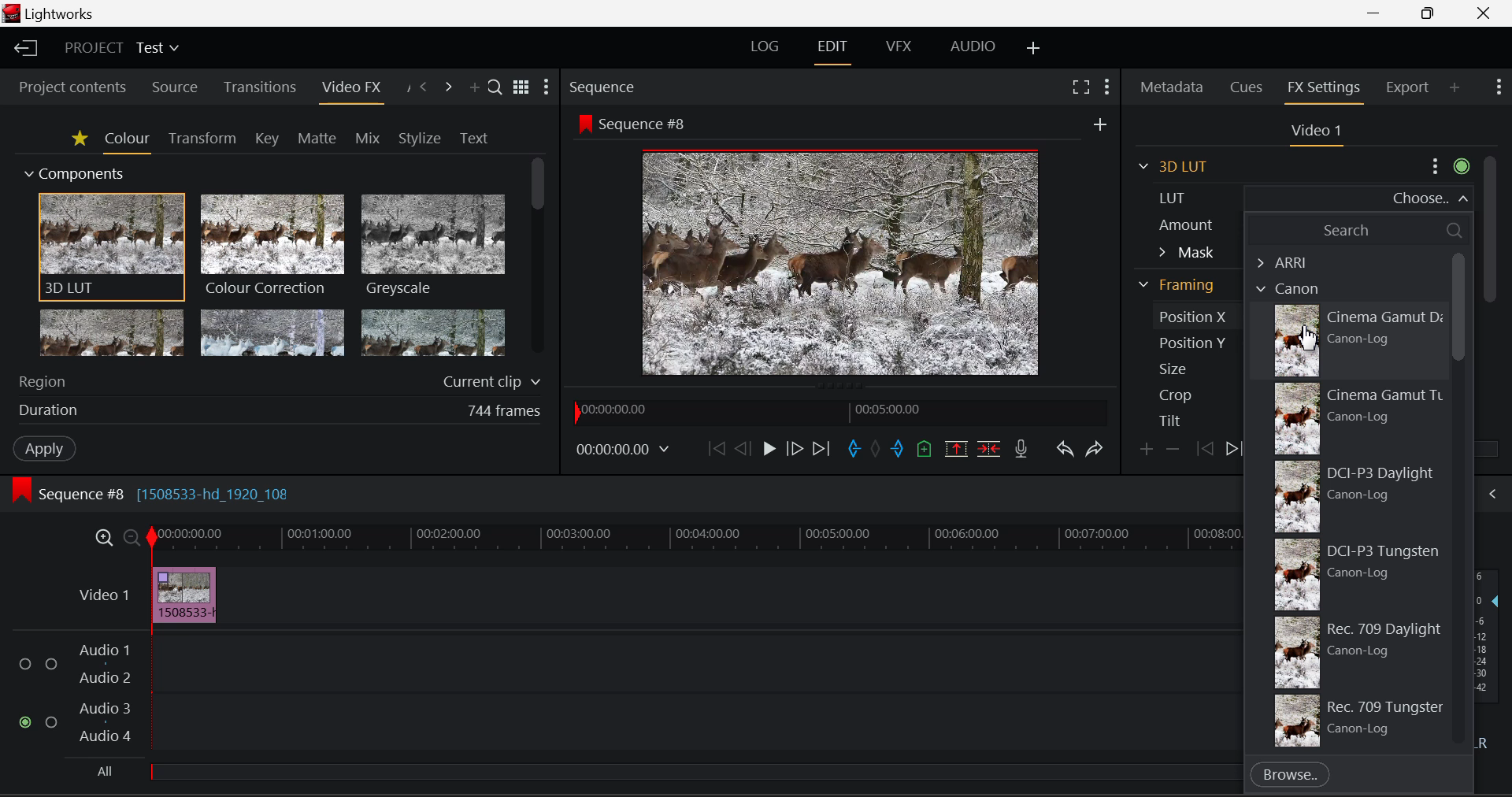 The width and height of the screenshot is (1512, 797). I want to click on Go Forward, so click(795, 451).